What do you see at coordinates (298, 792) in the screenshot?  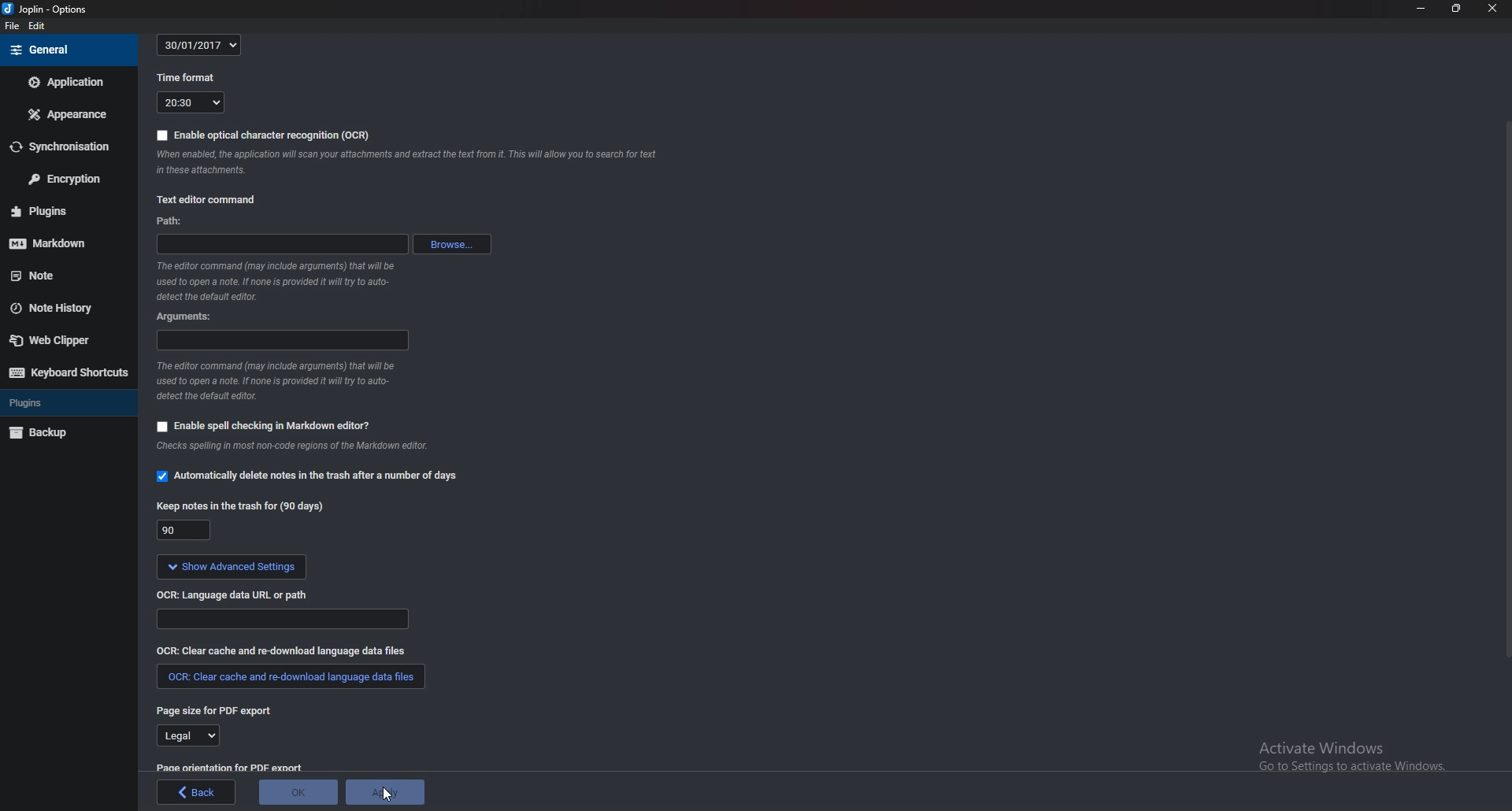 I see `ok` at bounding box center [298, 792].